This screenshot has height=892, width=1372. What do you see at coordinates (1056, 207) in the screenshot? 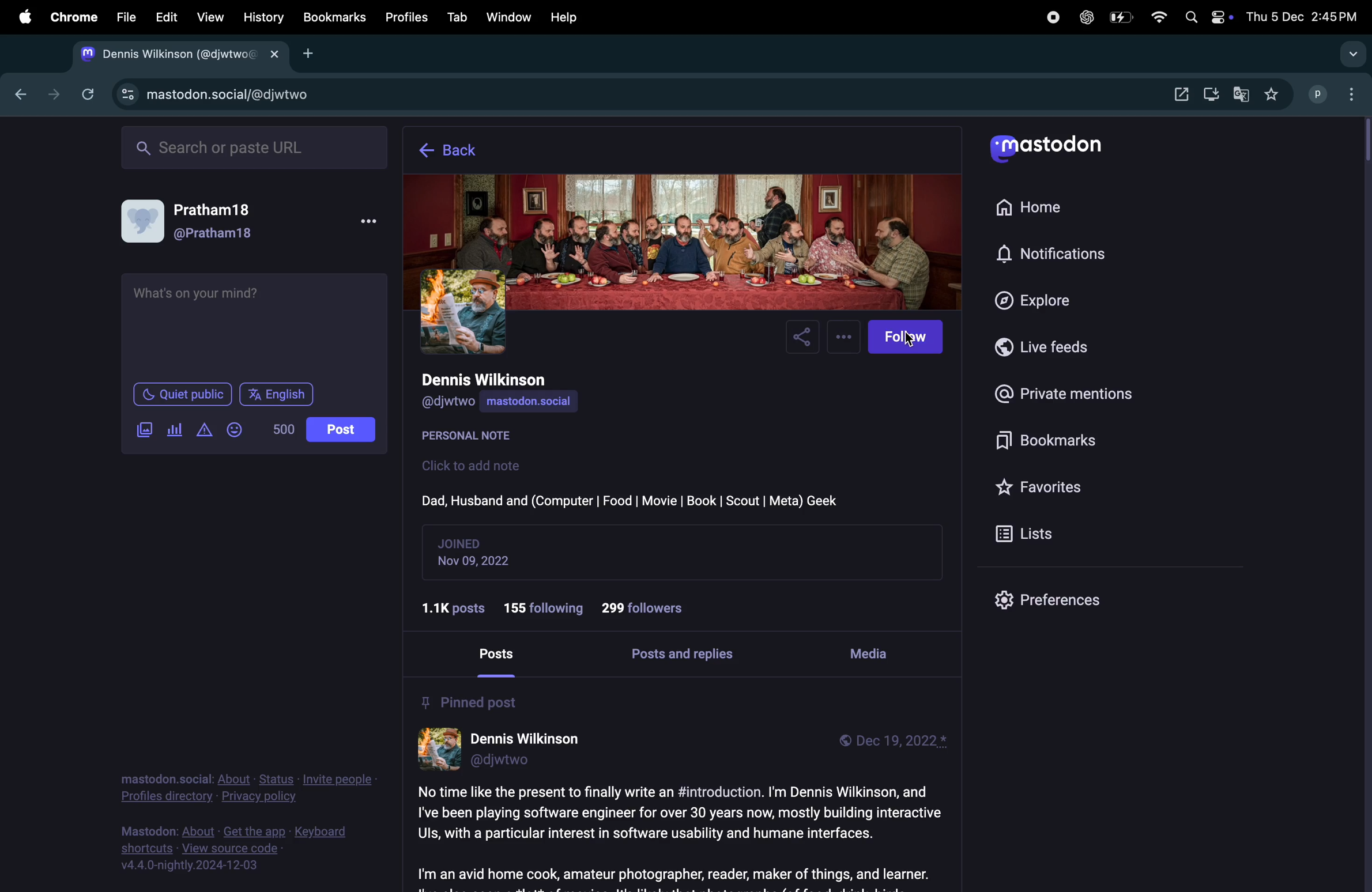
I see `home` at bounding box center [1056, 207].